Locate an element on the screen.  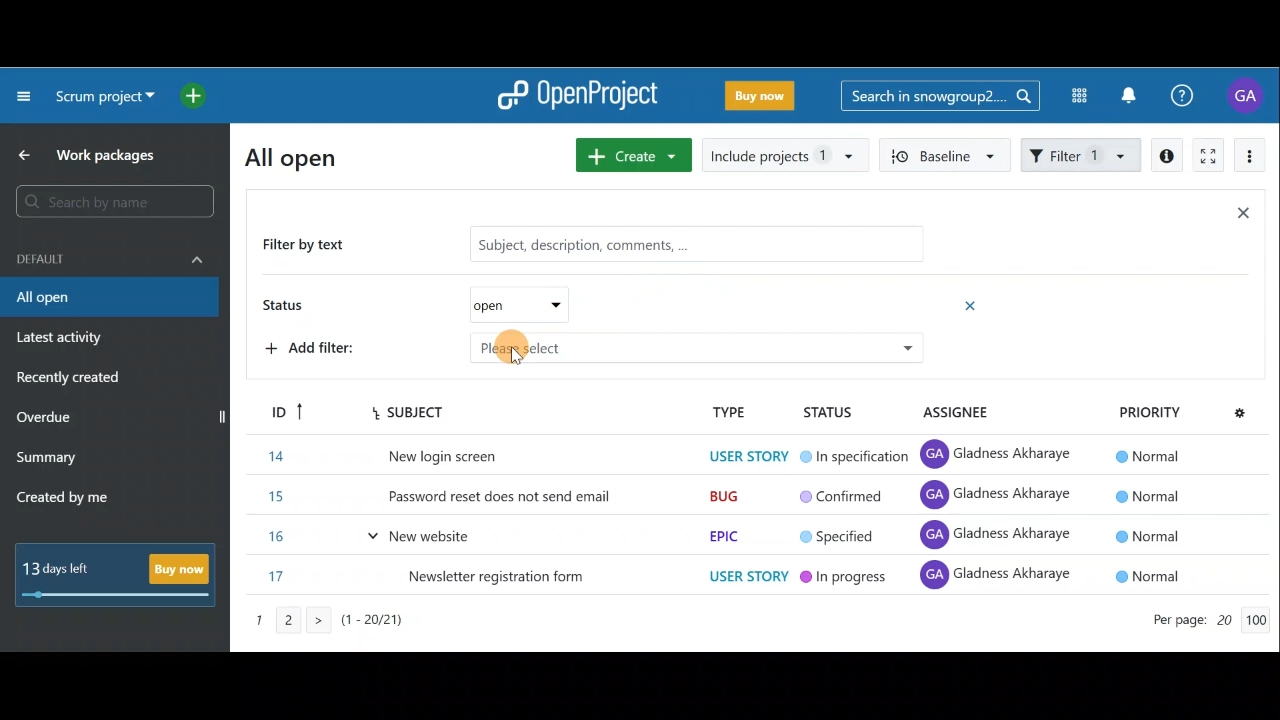
Default is located at coordinates (110, 257).